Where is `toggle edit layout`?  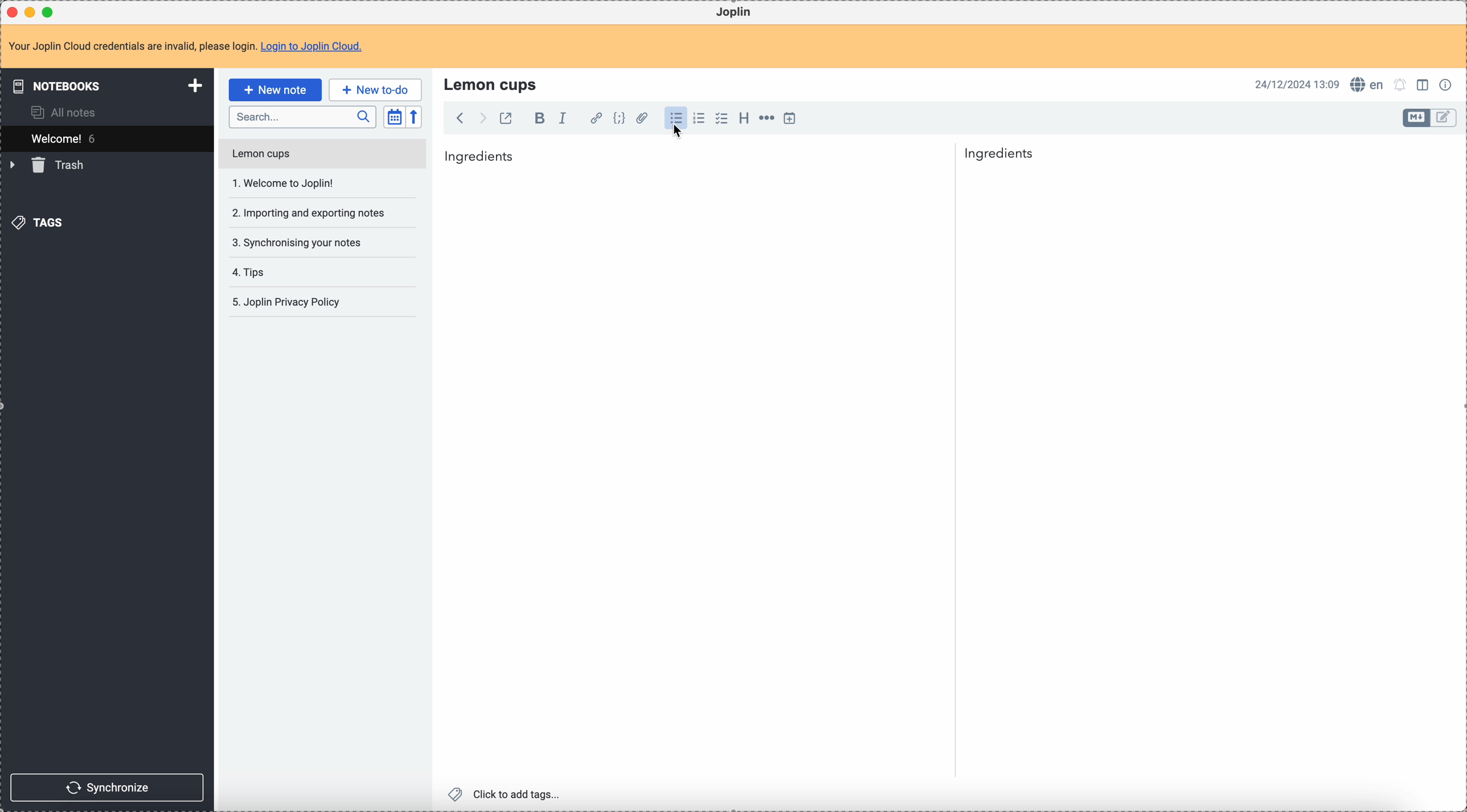 toggle edit layout is located at coordinates (1444, 118).